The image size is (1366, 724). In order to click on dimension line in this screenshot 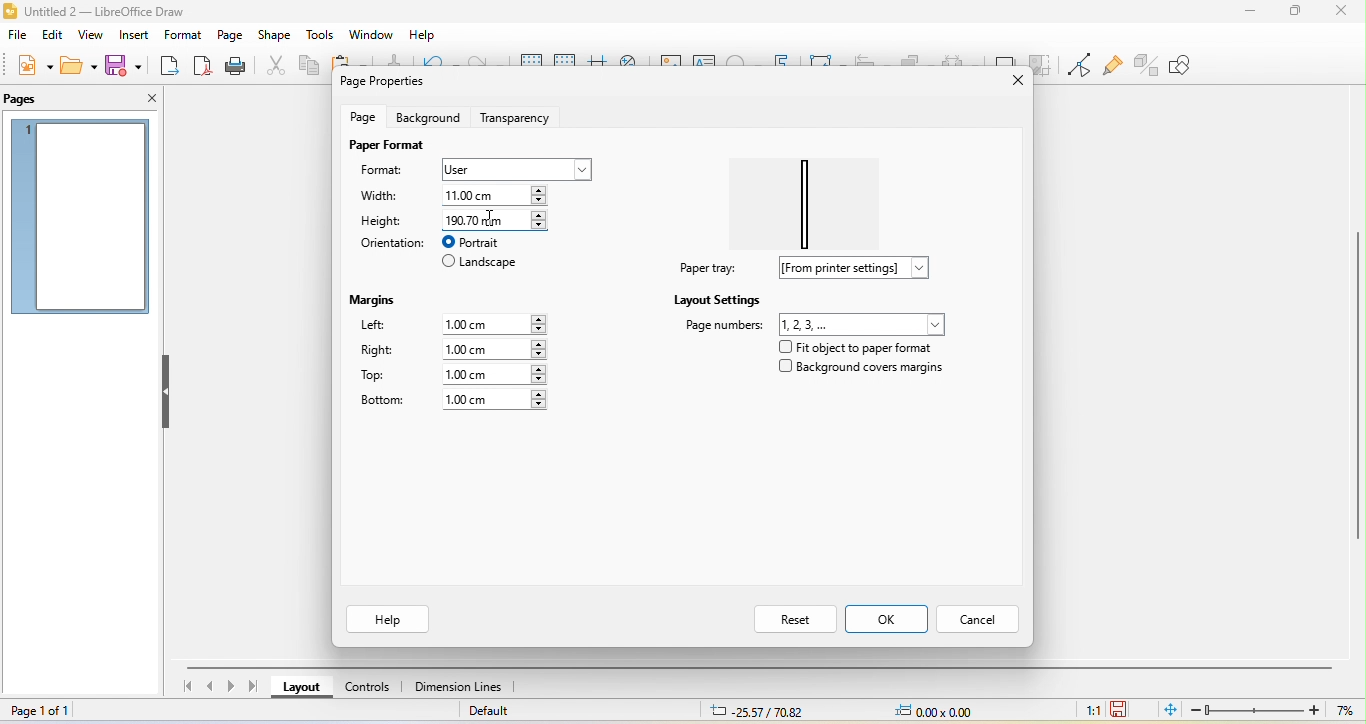, I will do `click(459, 688)`.